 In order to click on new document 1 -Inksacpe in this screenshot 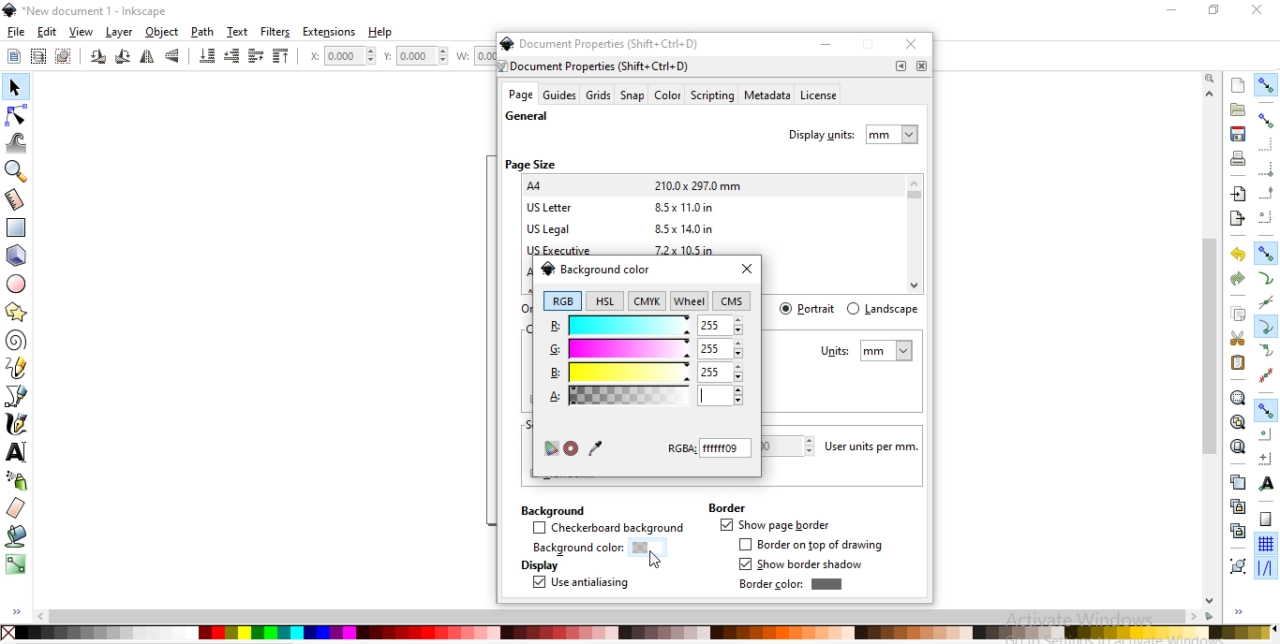, I will do `click(94, 12)`.